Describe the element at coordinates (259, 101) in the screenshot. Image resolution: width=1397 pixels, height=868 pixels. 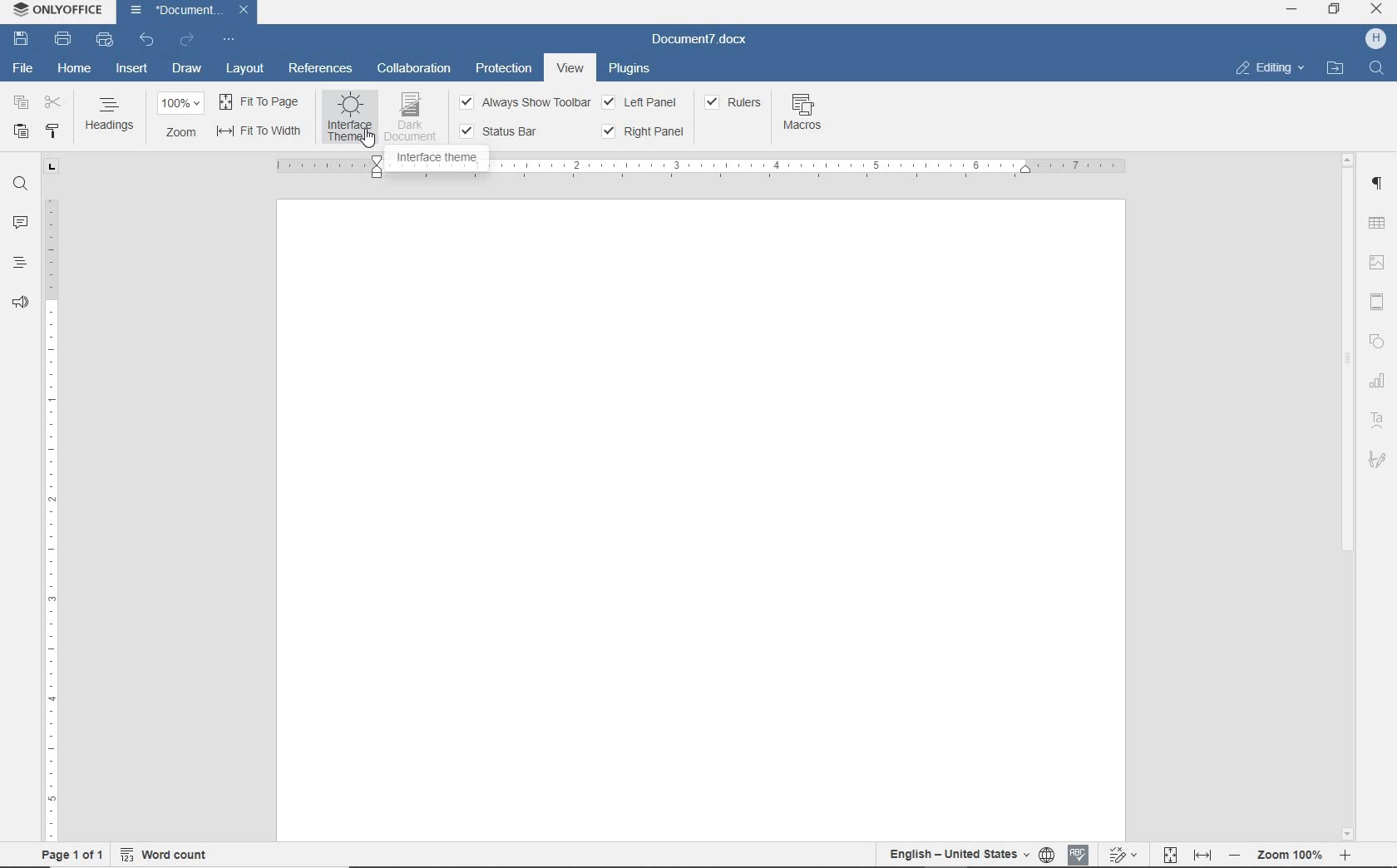
I see `FIT TO PAGE` at that location.